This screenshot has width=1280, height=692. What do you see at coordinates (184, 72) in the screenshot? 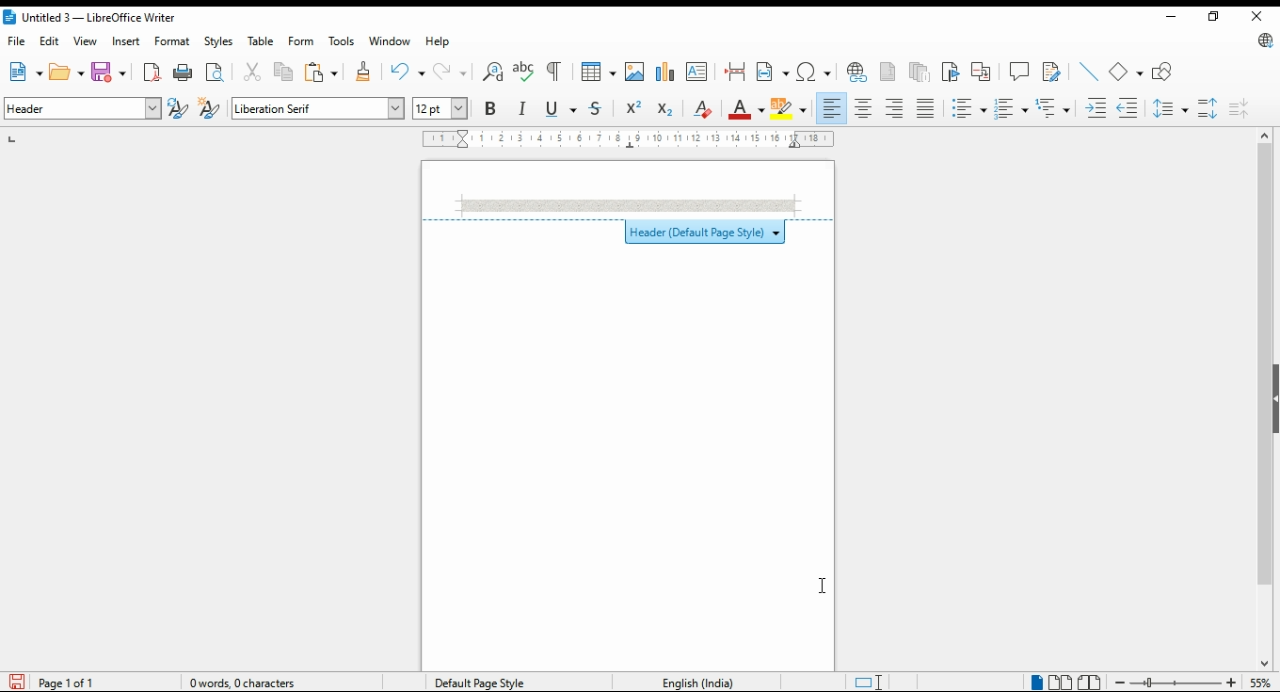
I see `print` at bounding box center [184, 72].